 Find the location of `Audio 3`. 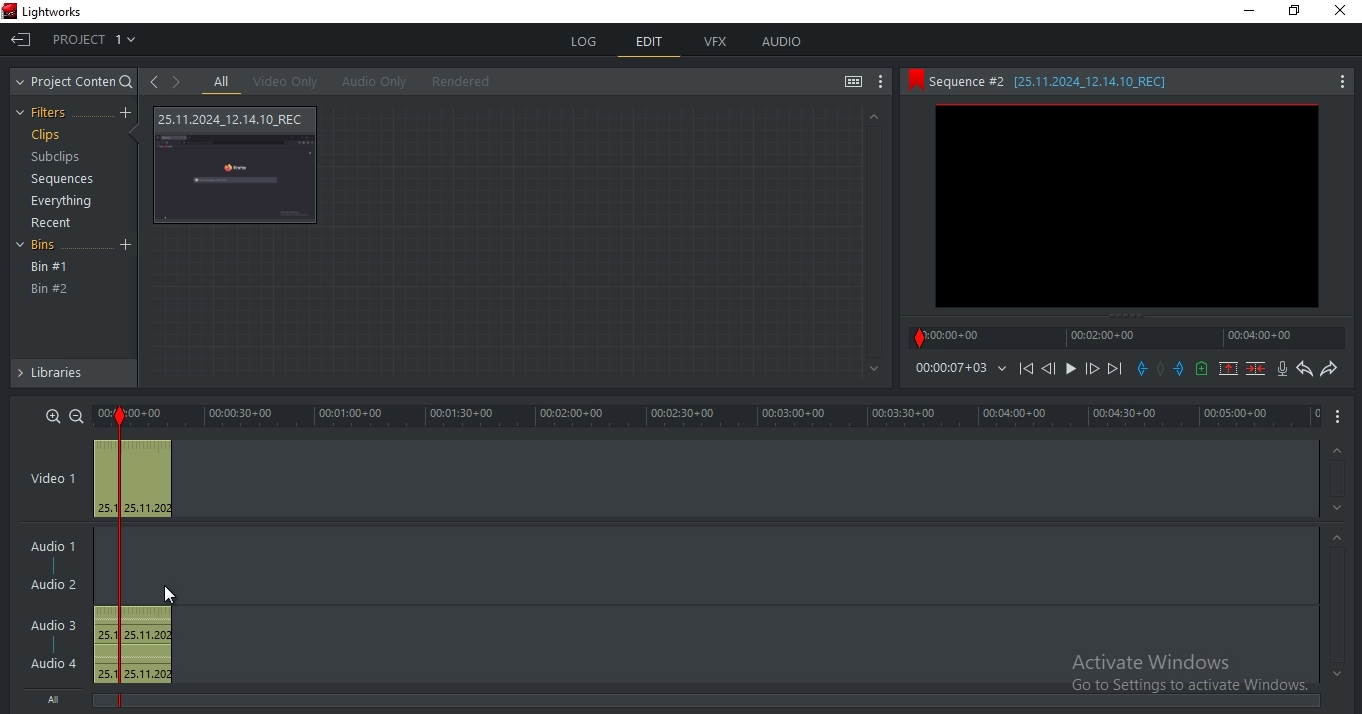

Audio 3 is located at coordinates (51, 623).